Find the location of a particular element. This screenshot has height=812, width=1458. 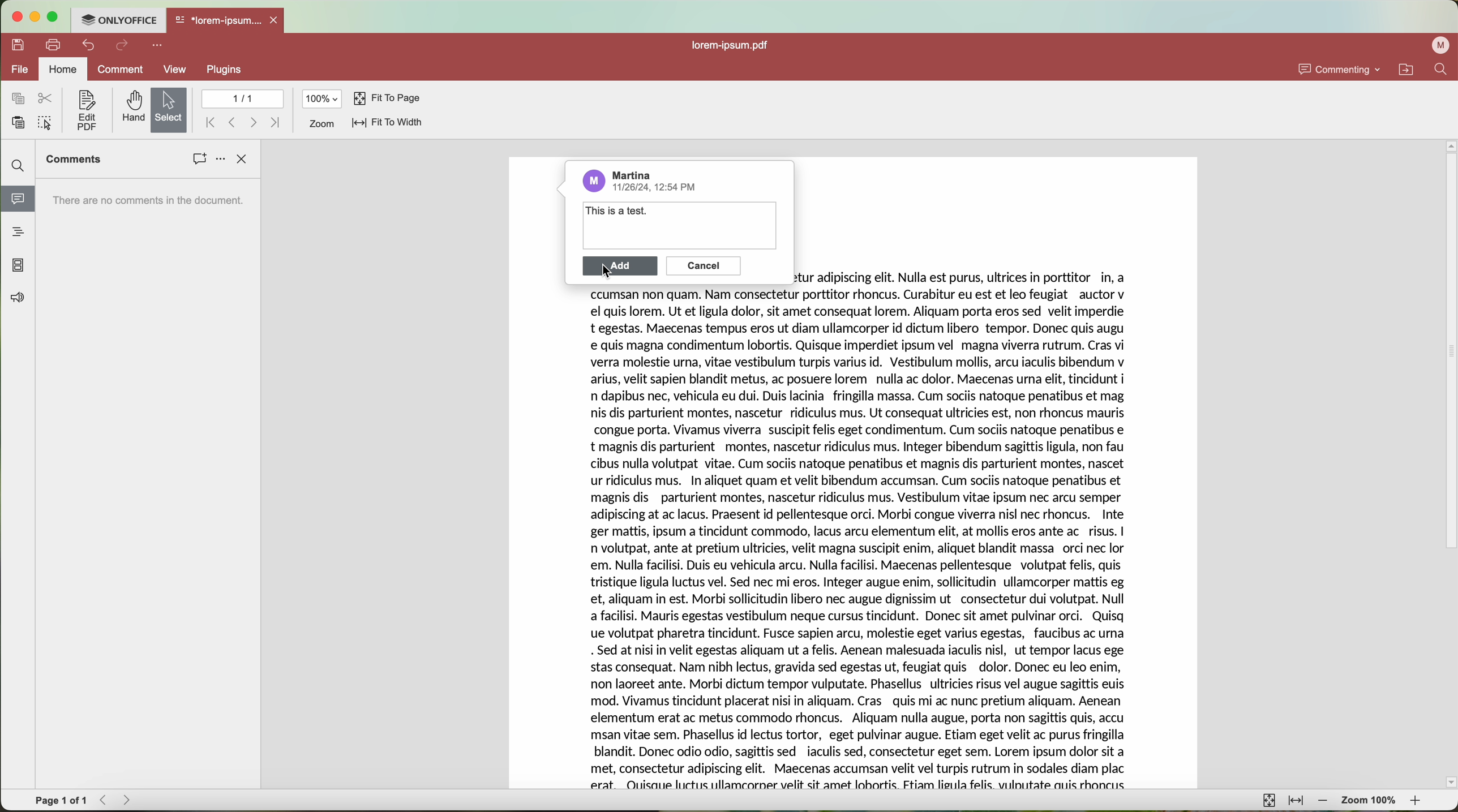

heading is located at coordinates (19, 231).